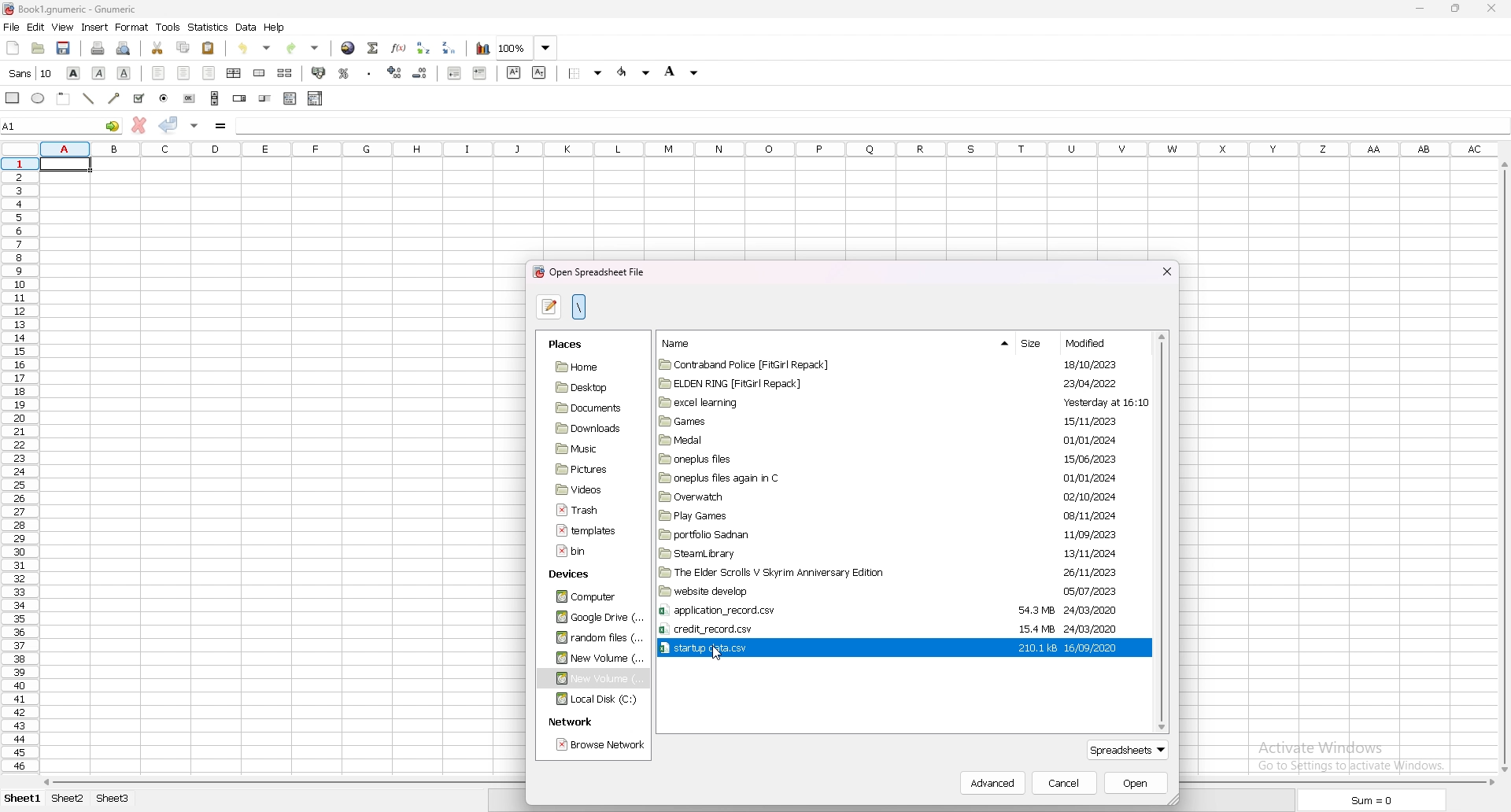 This screenshot has height=812, width=1511. What do you see at coordinates (814, 460) in the screenshot?
I see `folder` at bounding box center [814, 460].